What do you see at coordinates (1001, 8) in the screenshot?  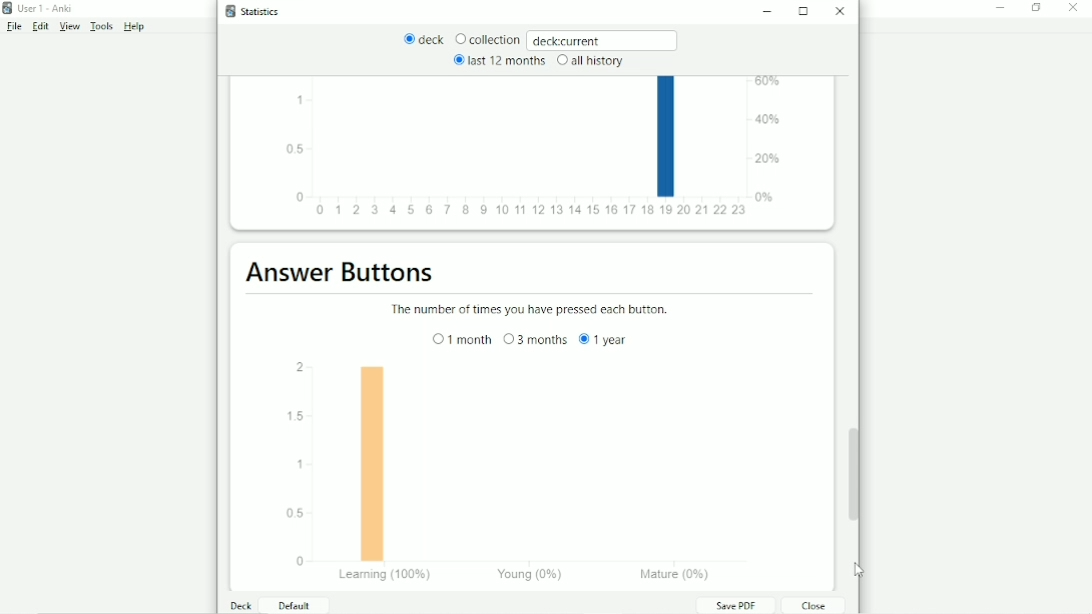 I see `Minimize` at bounding box center [1001, 8].